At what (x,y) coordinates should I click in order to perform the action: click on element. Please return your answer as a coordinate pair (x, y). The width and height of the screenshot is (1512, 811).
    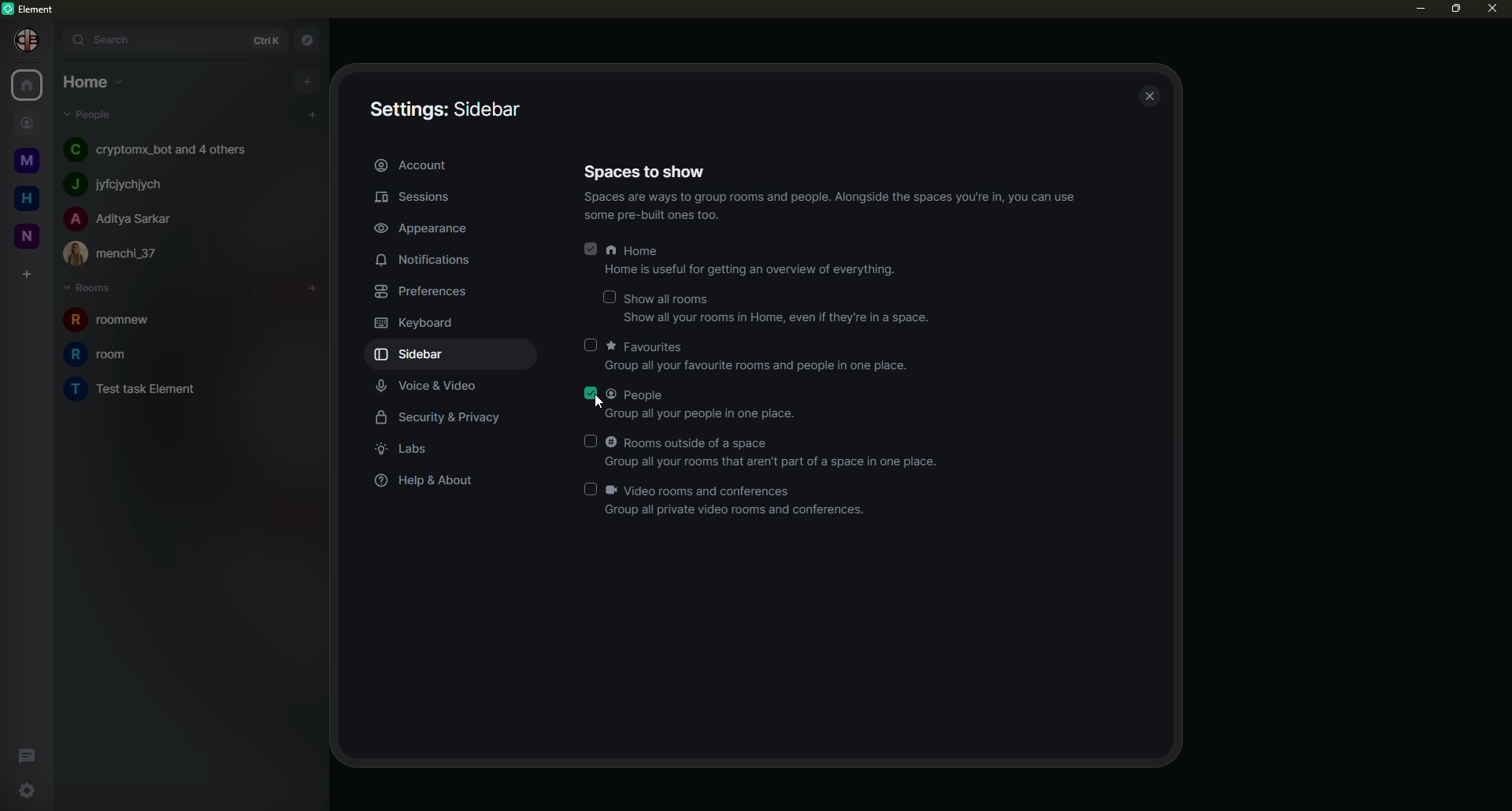
    Looking at the image, I should click on (34, 9).